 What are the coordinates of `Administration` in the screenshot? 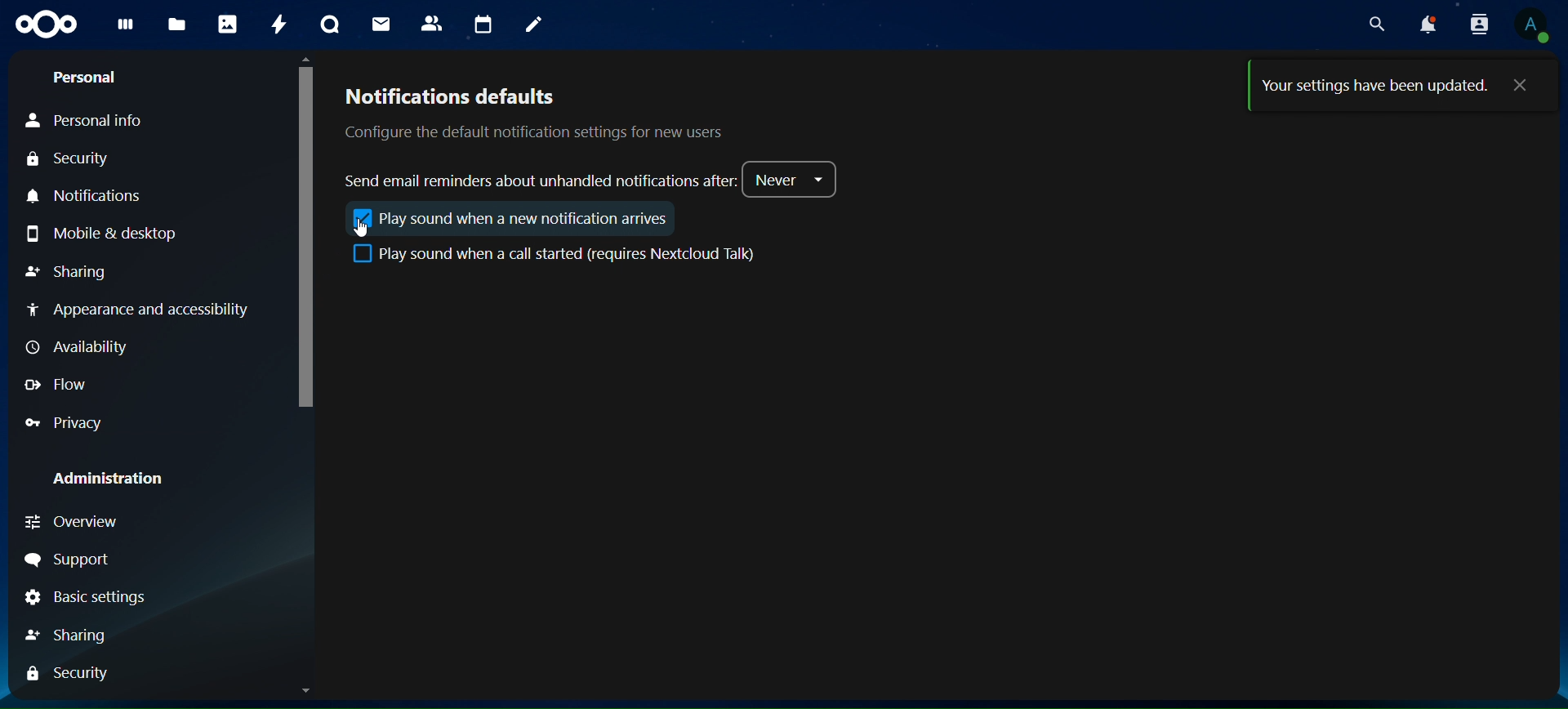 It's located at (109, 479).